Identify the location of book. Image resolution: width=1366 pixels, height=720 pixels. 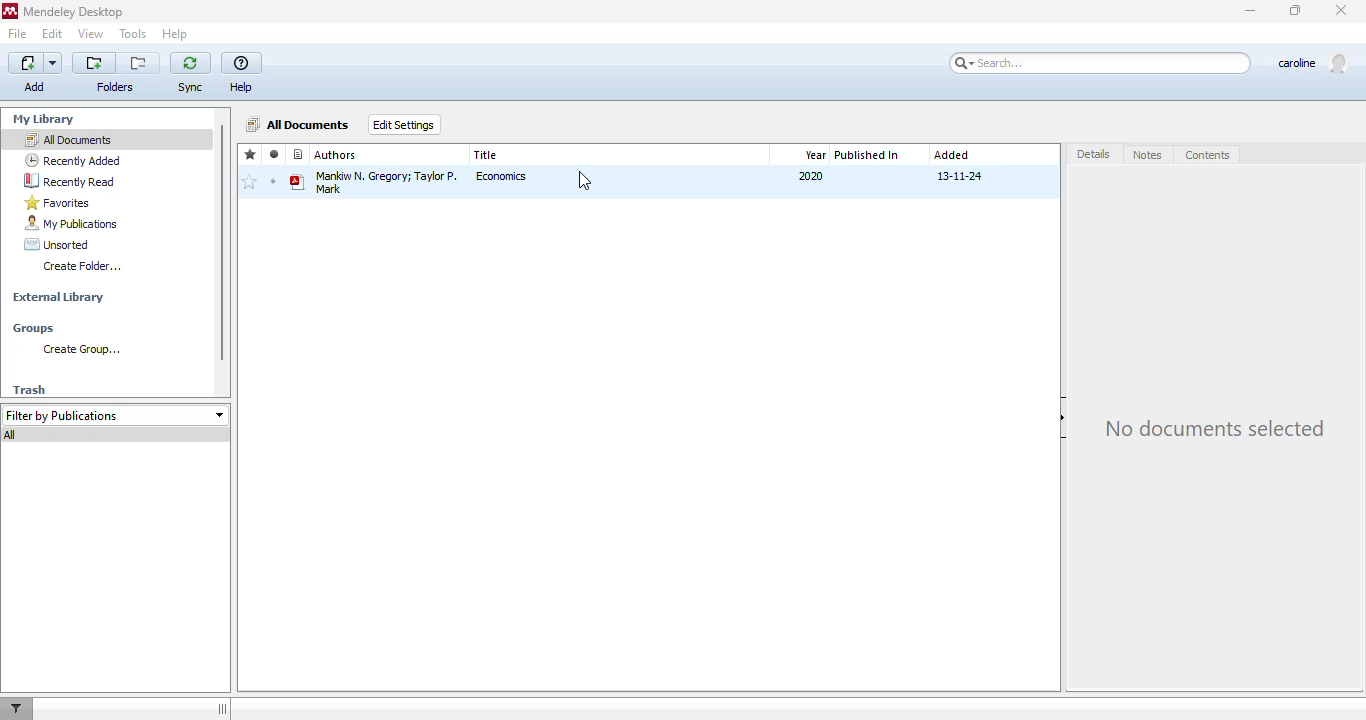
(297, 182).